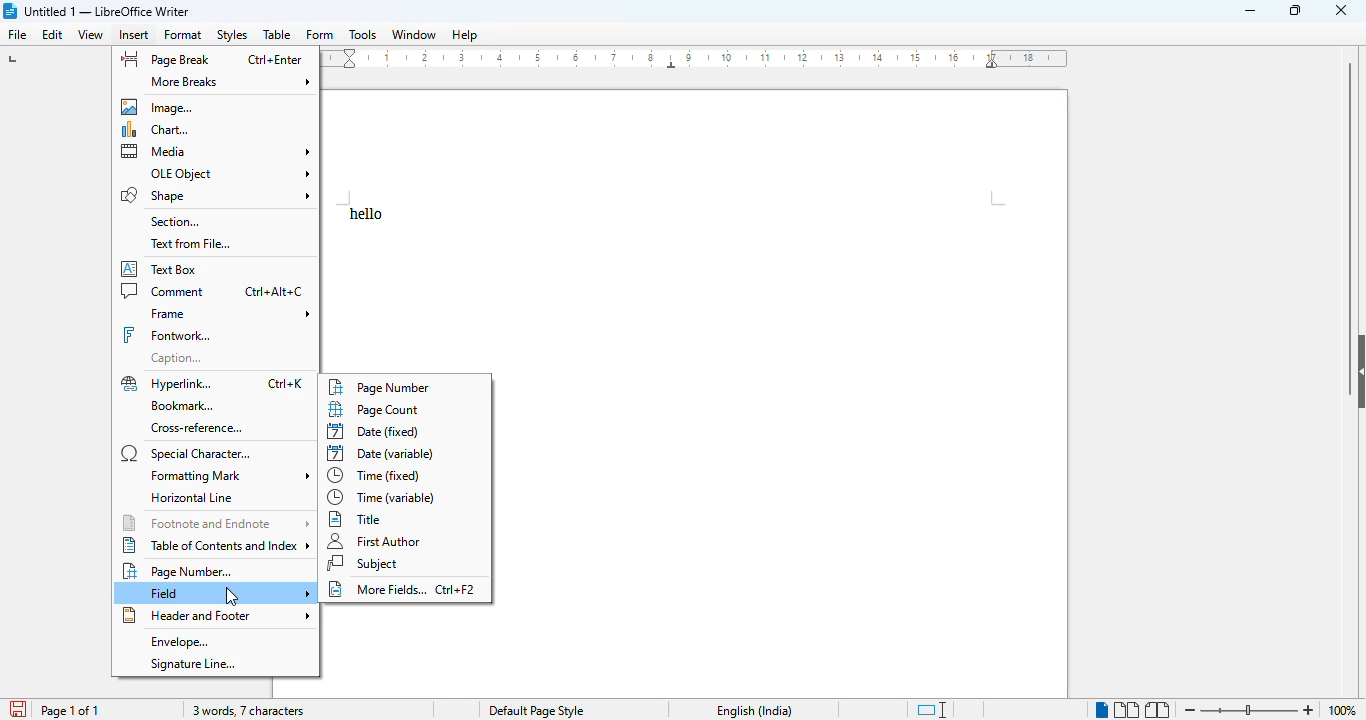 The height and width of the screenshot is (720, 1366). I want to click on more breaks, so click(230, 81).